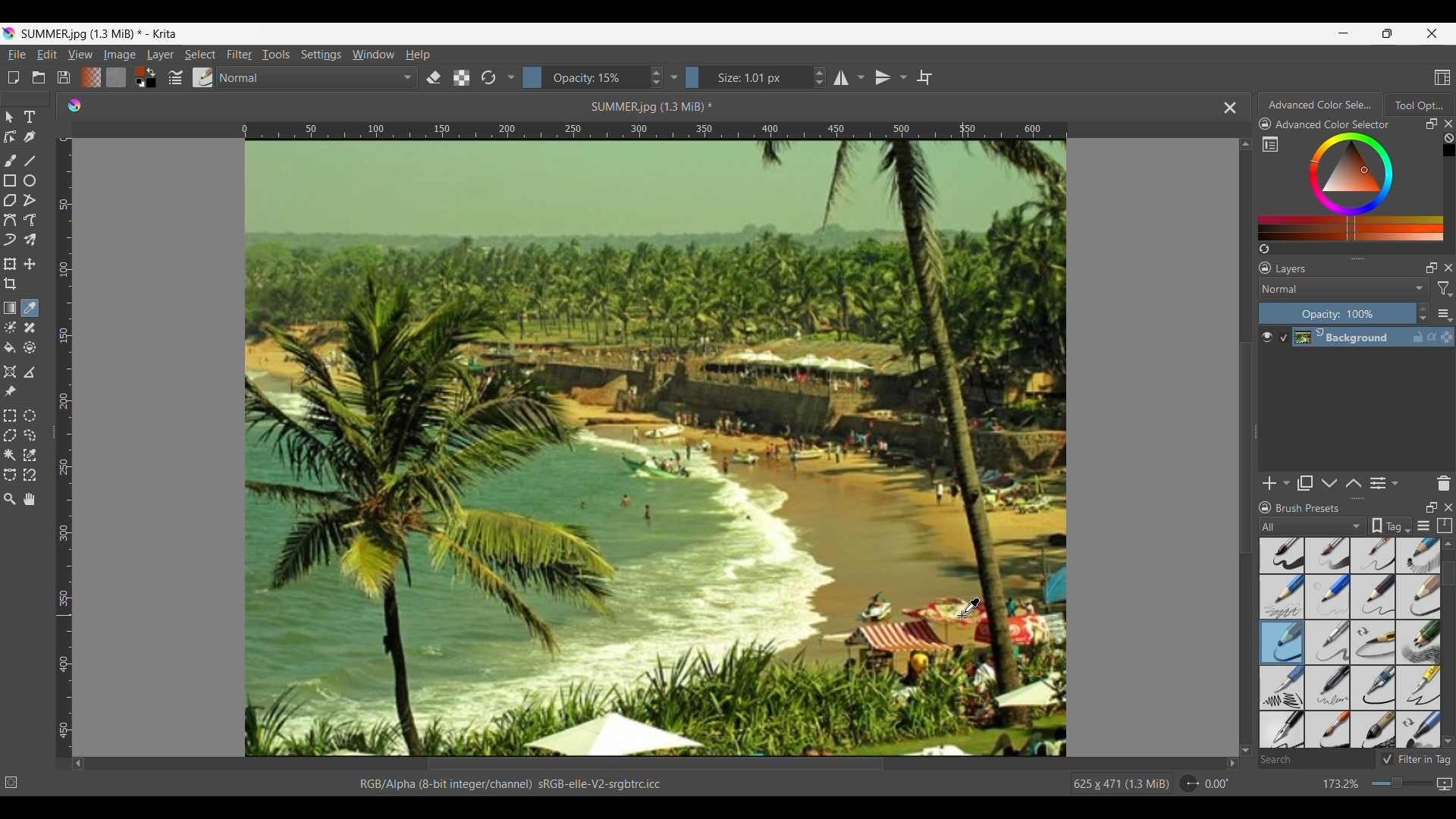 The image size is (1456, 819). Describe the element at coordinates (1394, 482) in the screenshot. I see `Layer property settings` at that location.